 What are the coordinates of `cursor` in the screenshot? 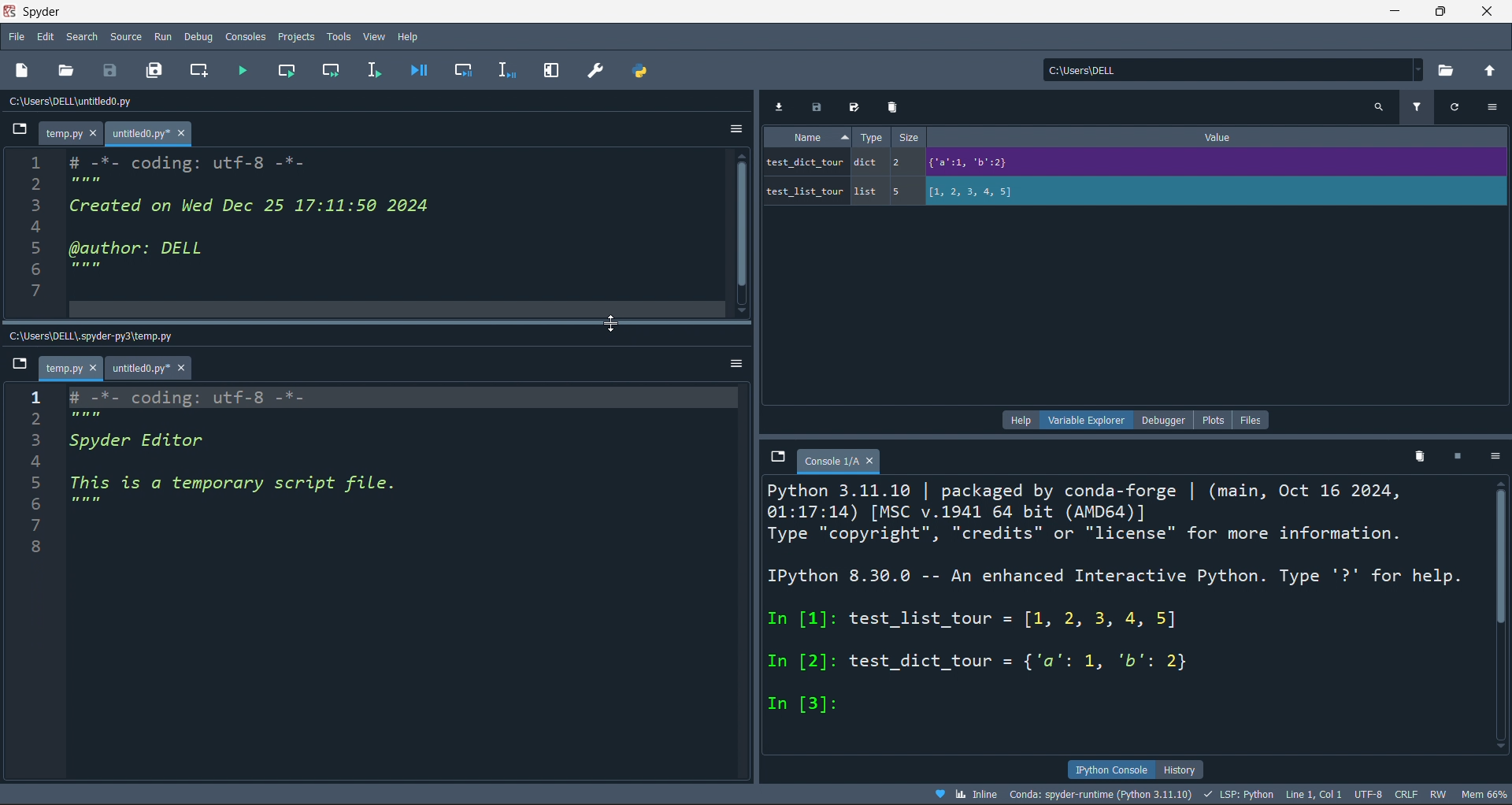 It's located at (609, 325).